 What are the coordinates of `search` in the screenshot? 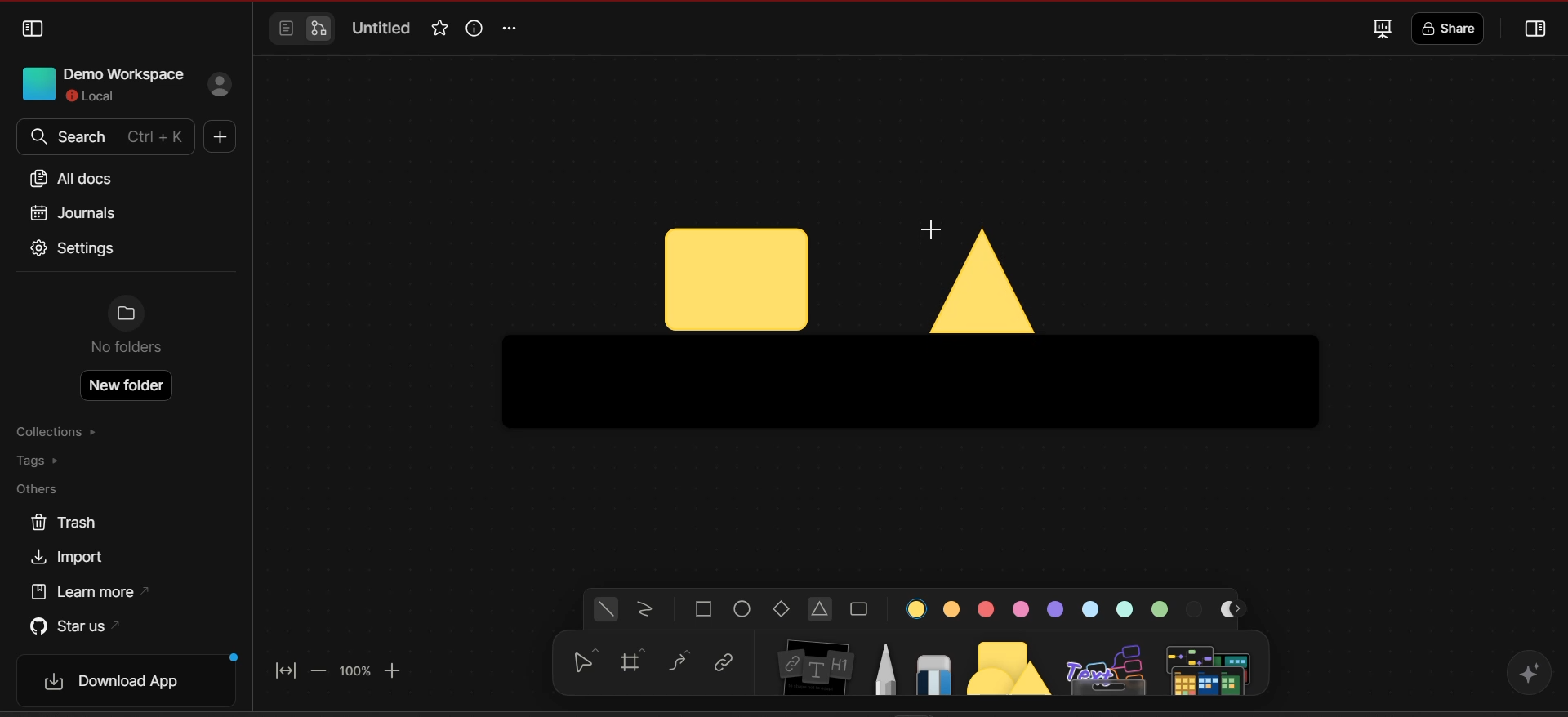 It's located at (103, 137).